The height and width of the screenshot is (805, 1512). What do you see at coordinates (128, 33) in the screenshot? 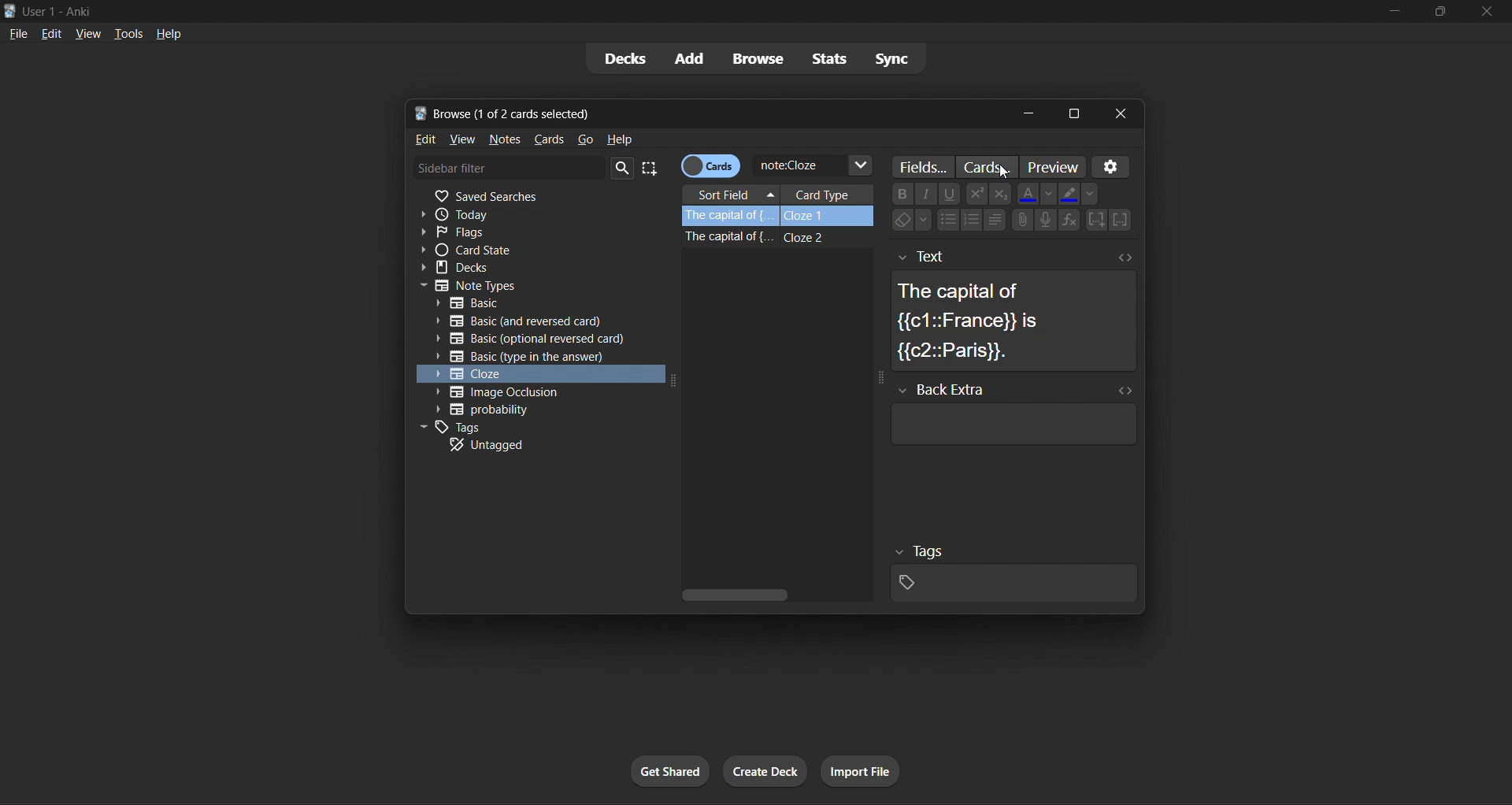
I see `tools` at bounding box center [128, 33].